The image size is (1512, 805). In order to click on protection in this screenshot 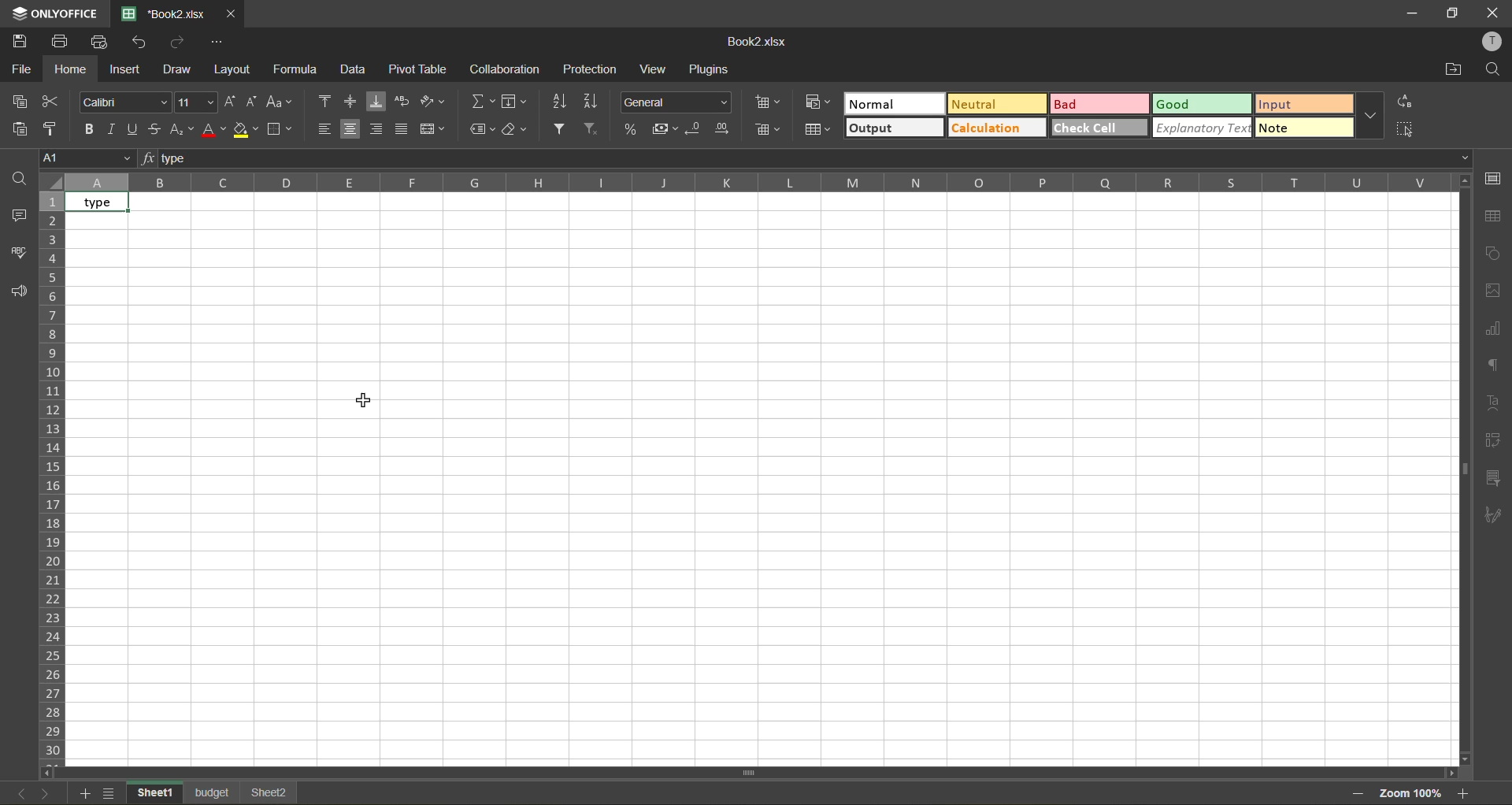, I will do `click(594, 70)`.